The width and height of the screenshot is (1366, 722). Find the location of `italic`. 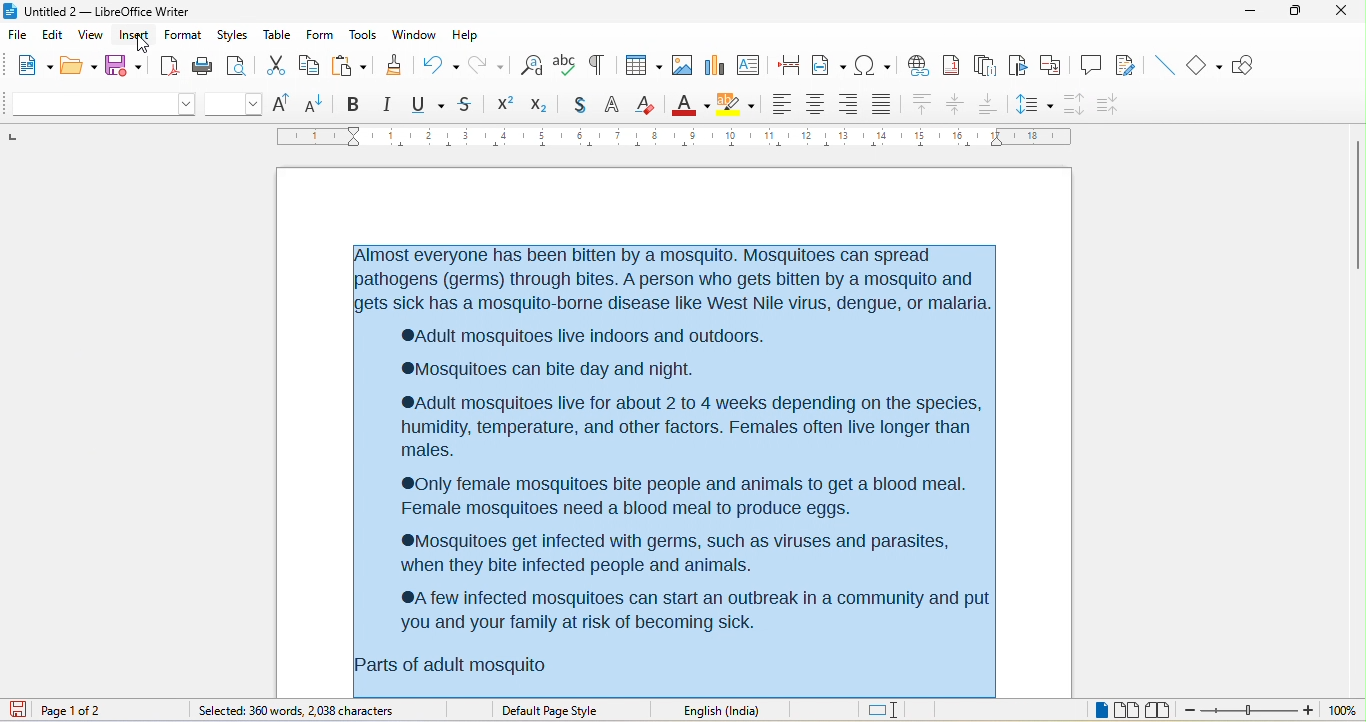

italic is located at coordinates (385, 103).